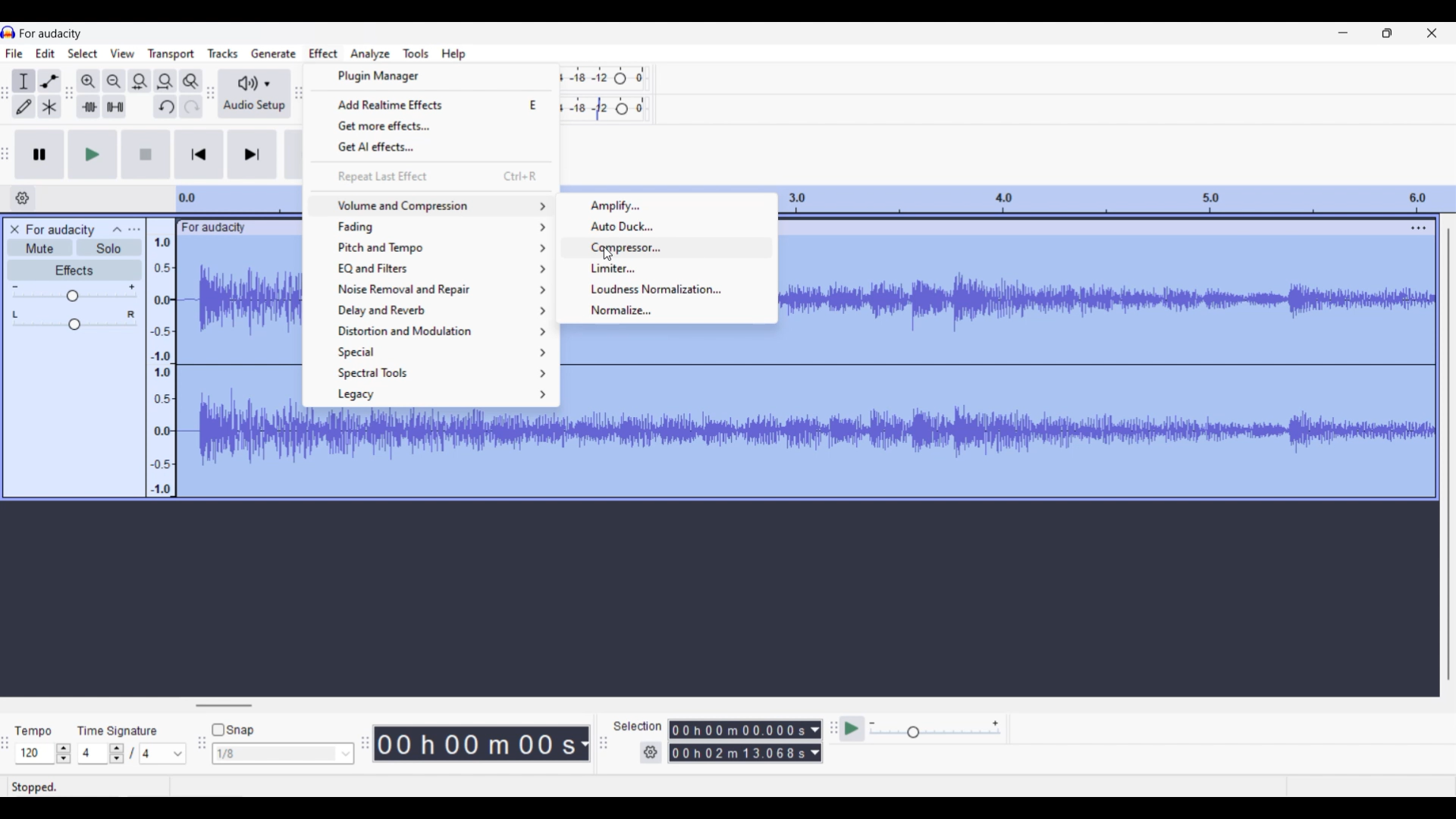  Describe the element at coordinates (432, 76) in the screenshot. I see `Plugin manager` at that location.